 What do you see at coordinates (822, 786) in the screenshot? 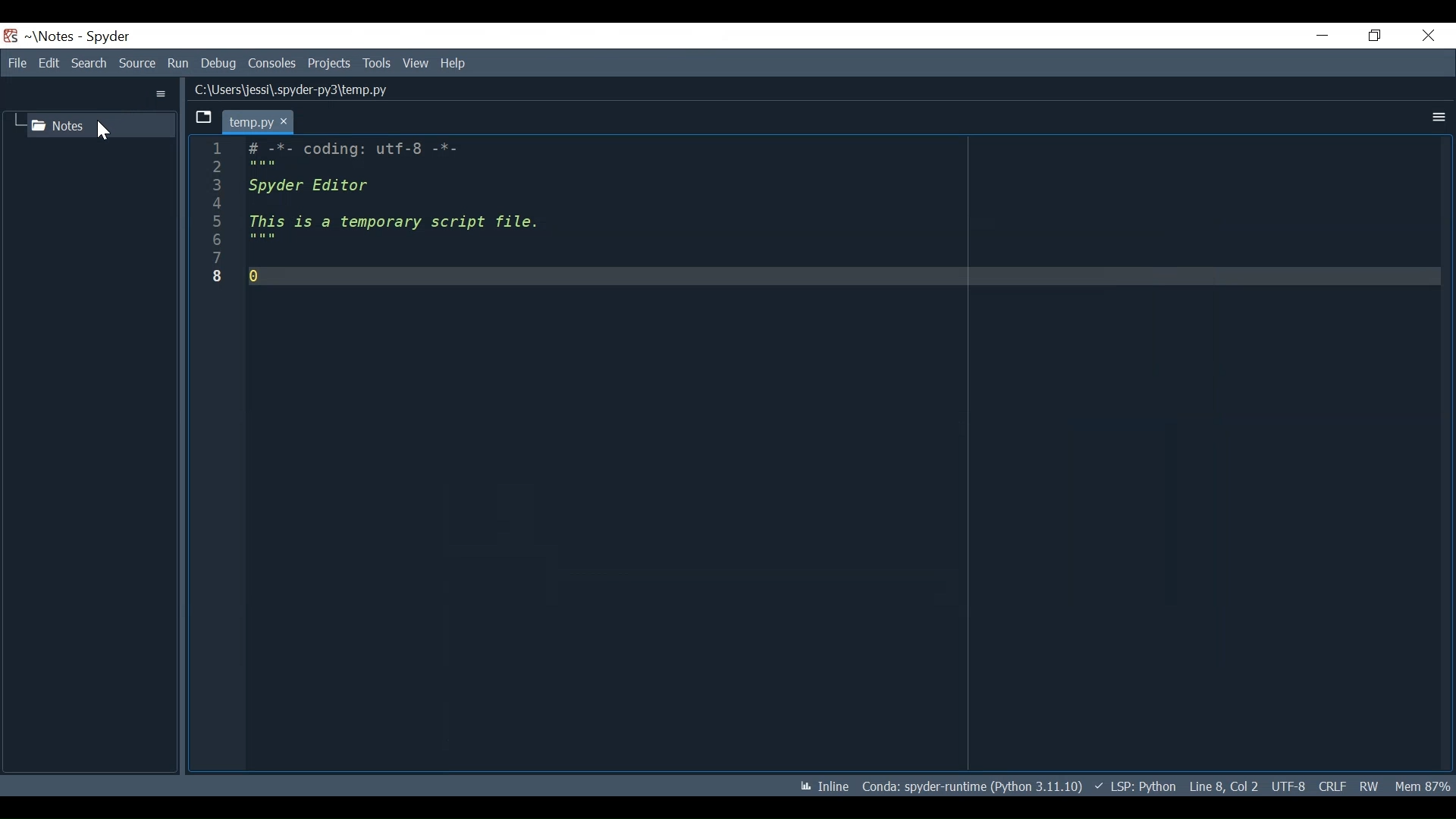
I see `Toggle between inline and interactive Matplotlib plotting` at bounding box center [822, 786].